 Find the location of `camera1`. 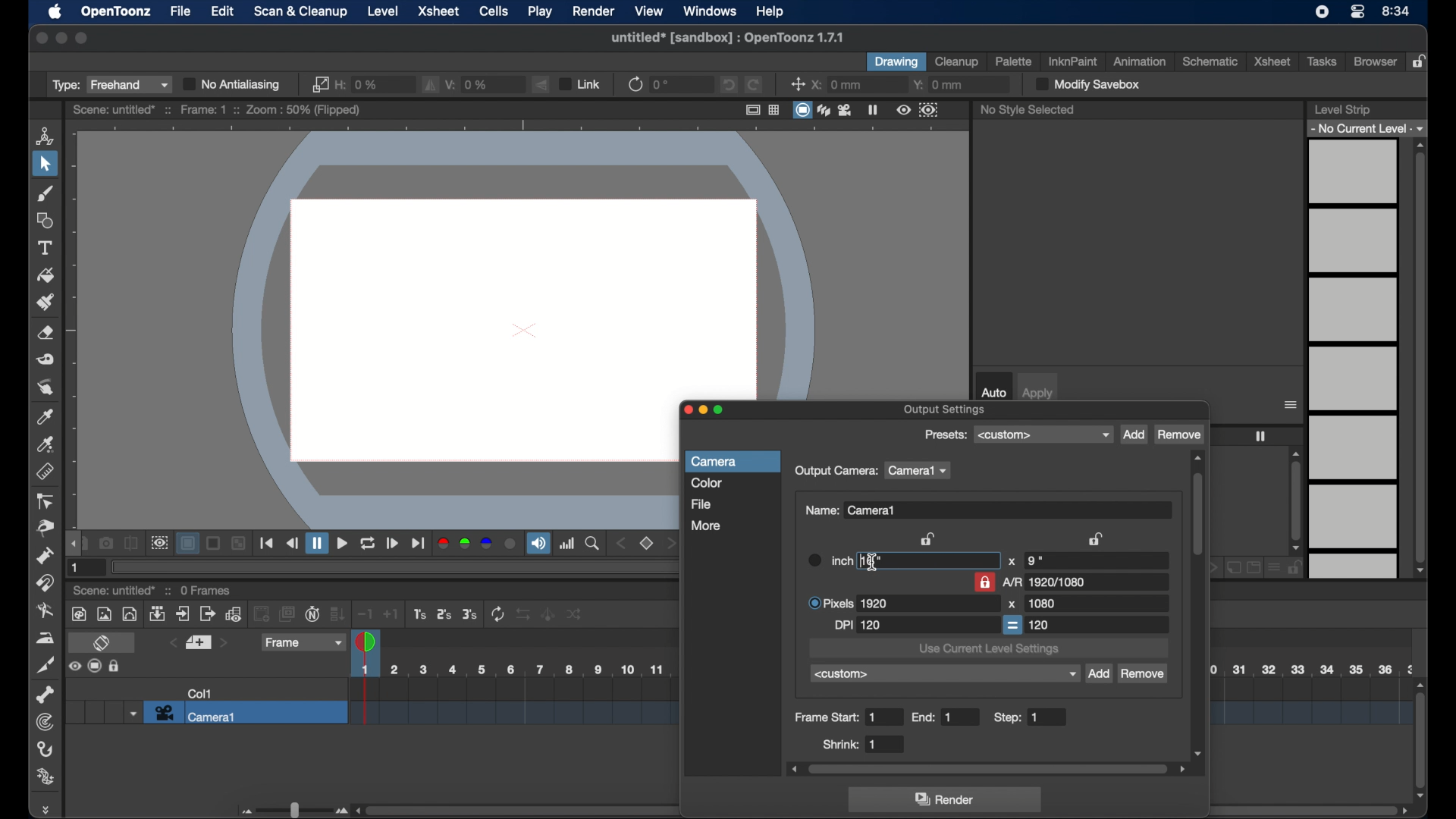

camera1 is located at coordinates (920, 471).